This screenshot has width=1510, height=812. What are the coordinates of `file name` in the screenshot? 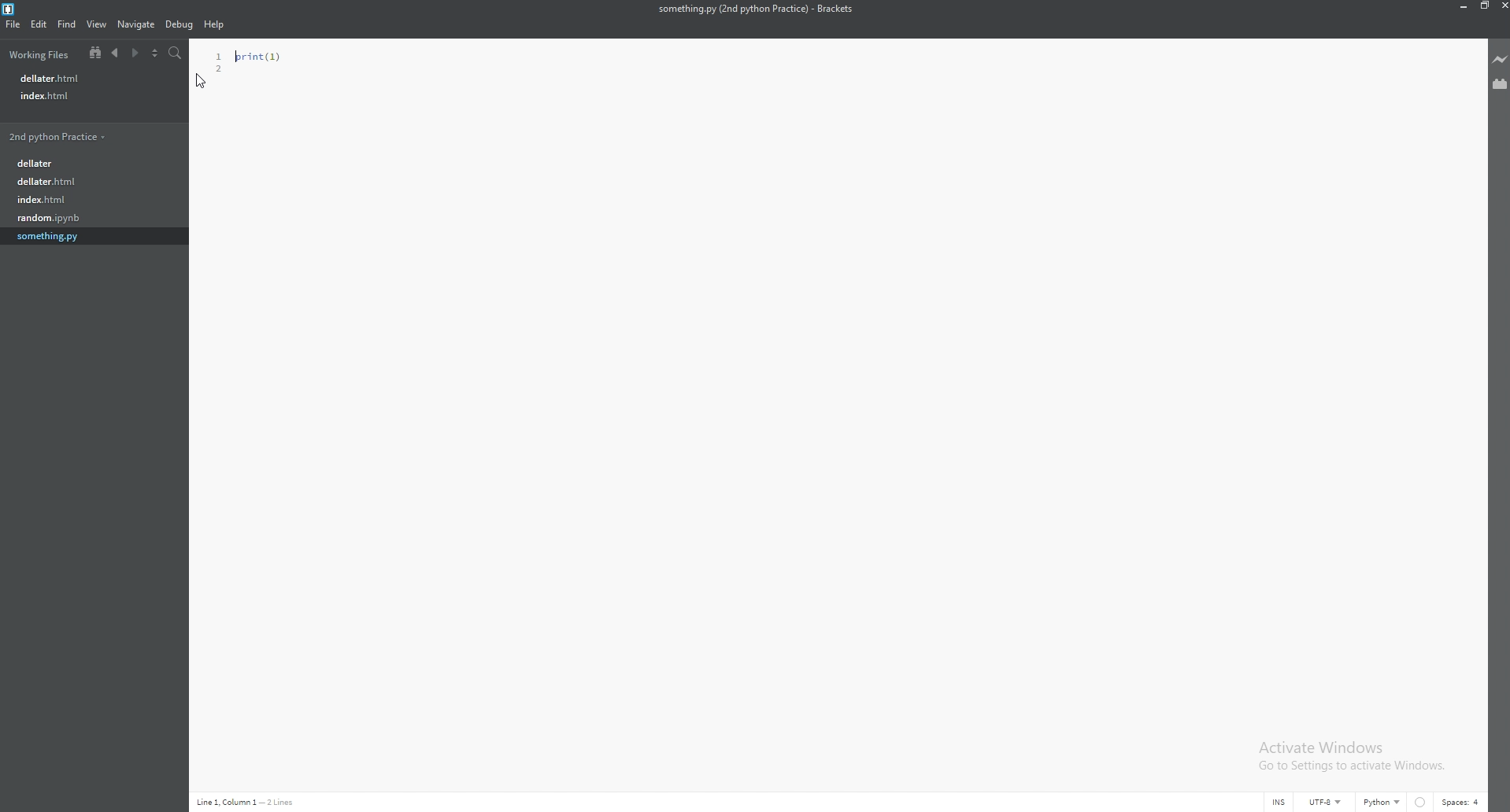 It's located at (73, 95).